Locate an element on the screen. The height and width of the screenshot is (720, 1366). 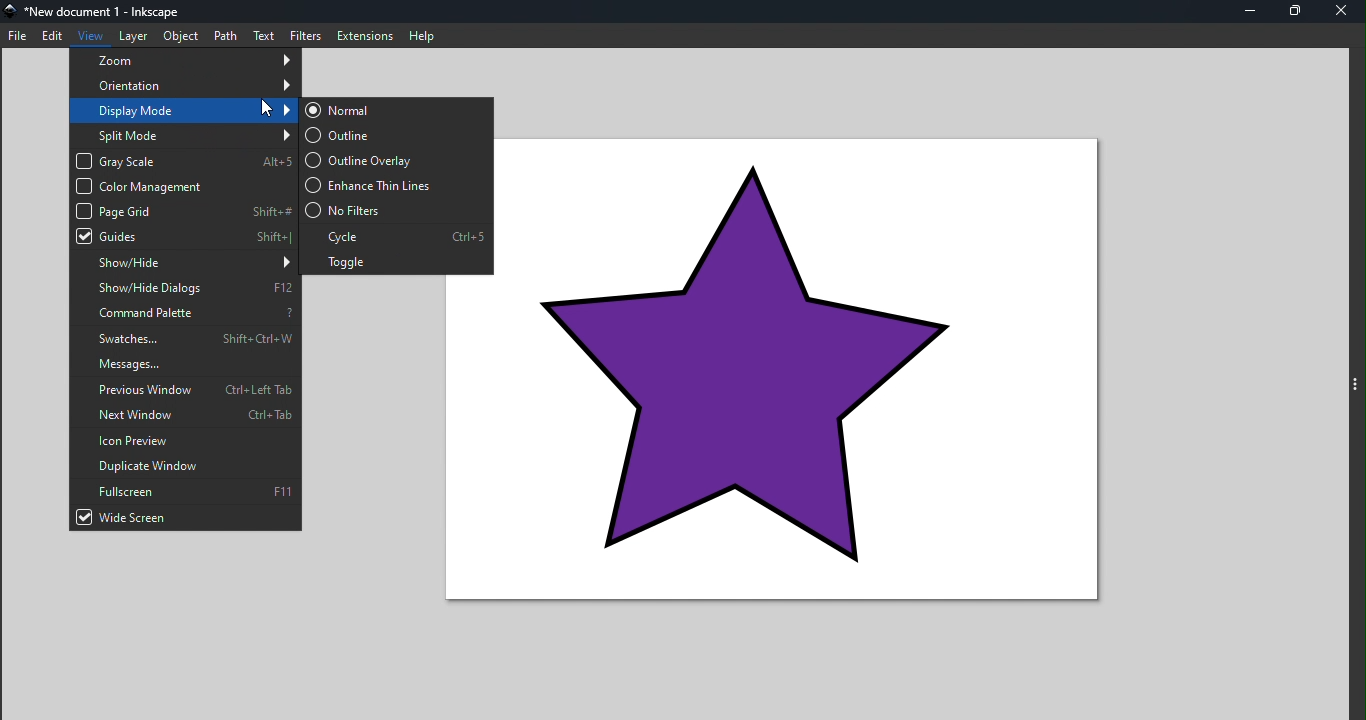
Cycle is located at coordinates (396, 233).